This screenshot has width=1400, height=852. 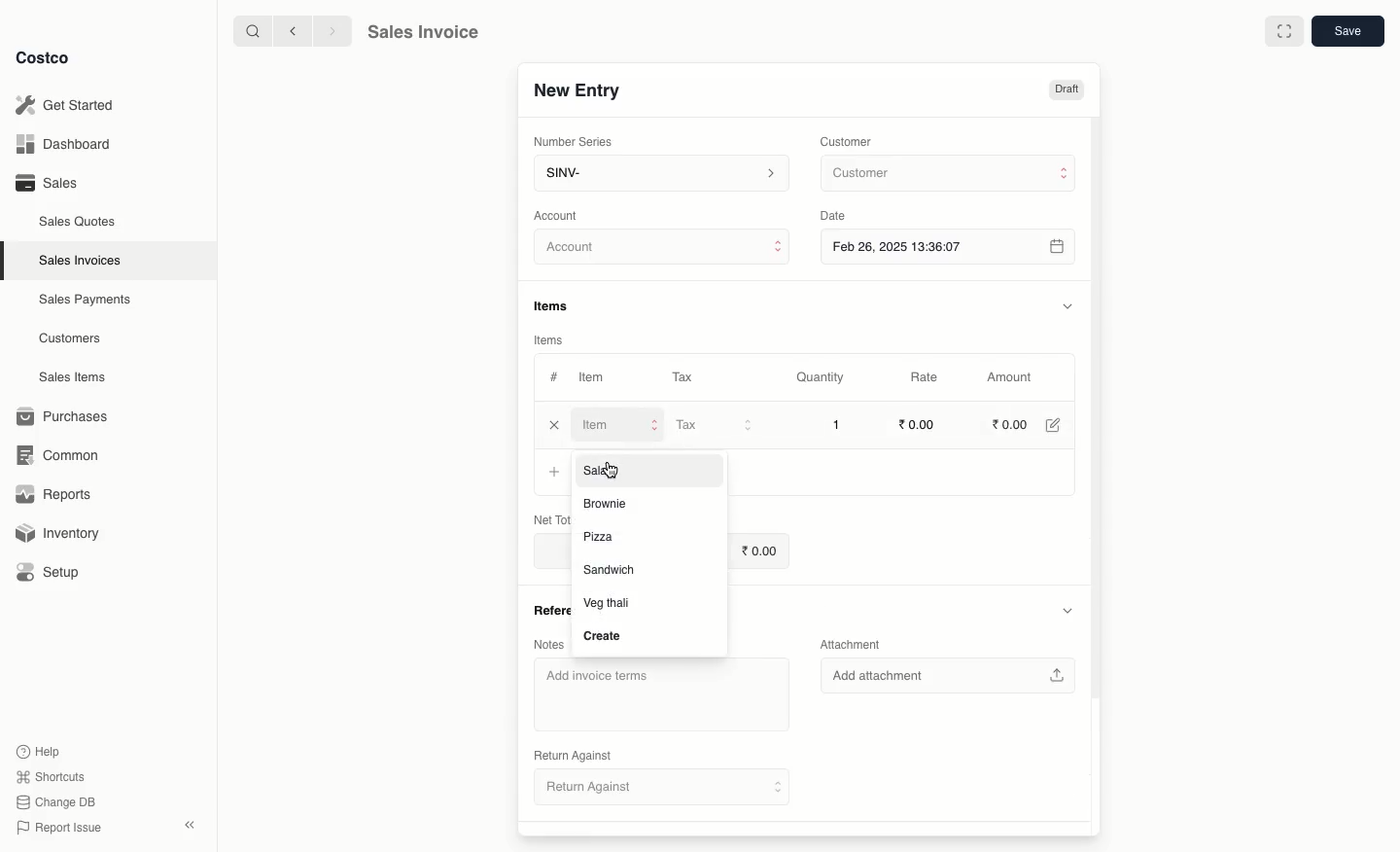 What do you see at coordinates (1282, 32) in the screenshot?
I see `Full width toggle` at bounding box center [1282, 32].